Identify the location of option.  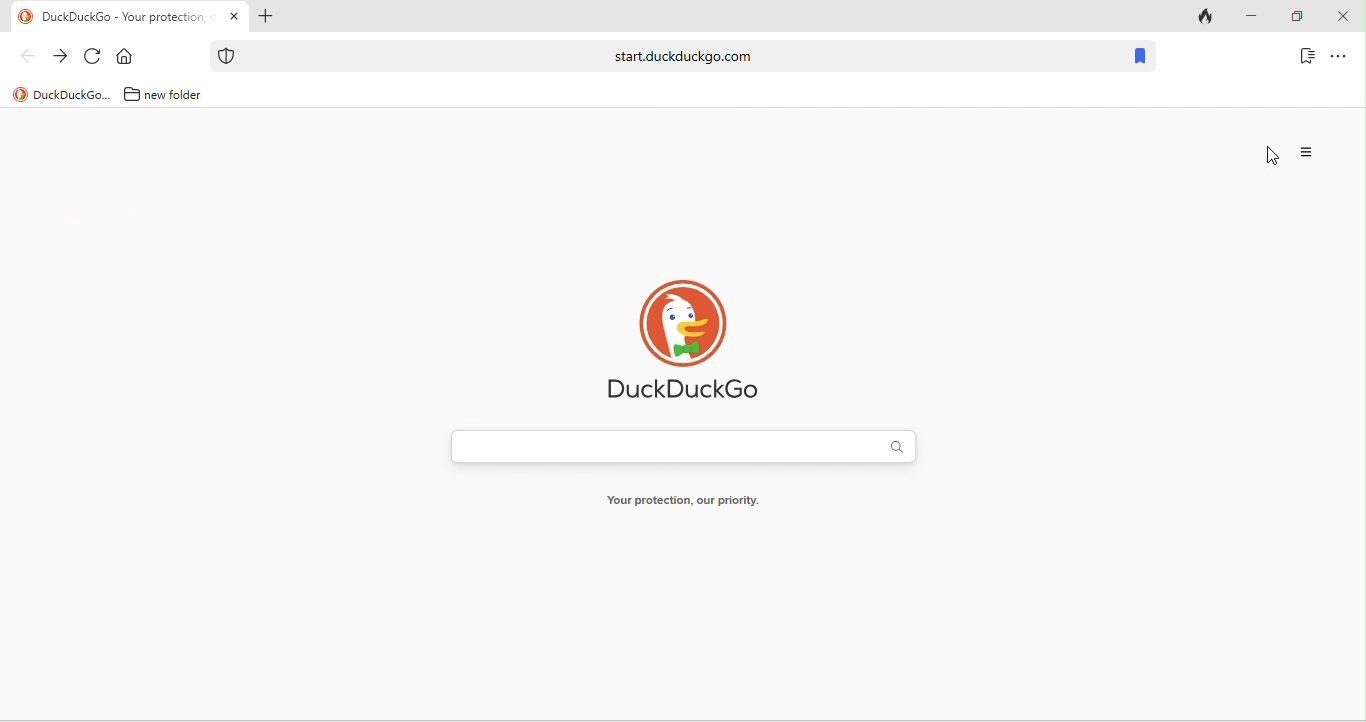
(1308, 152).